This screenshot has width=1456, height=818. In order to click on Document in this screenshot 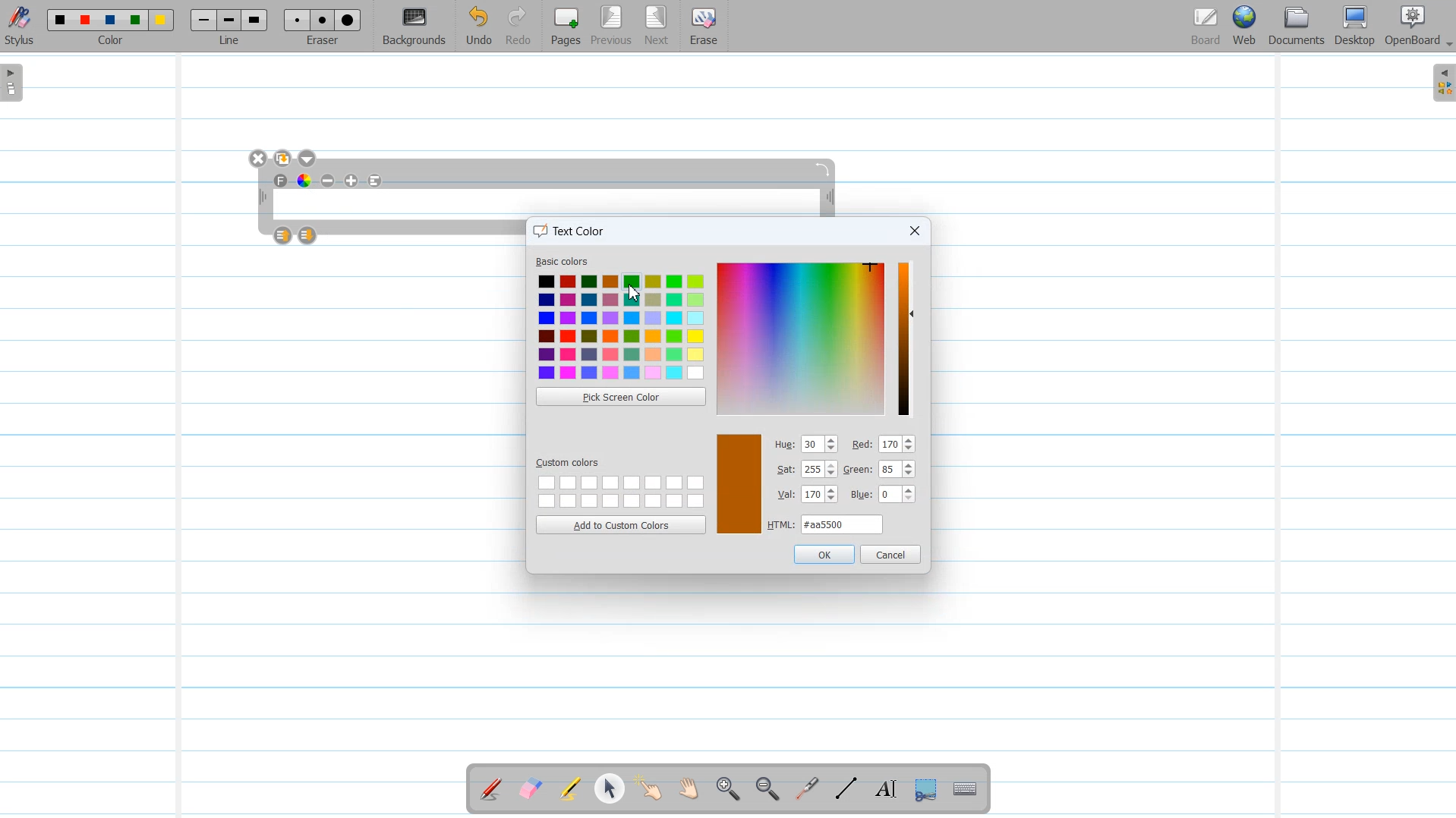, I will do `click(1298, 26)`.